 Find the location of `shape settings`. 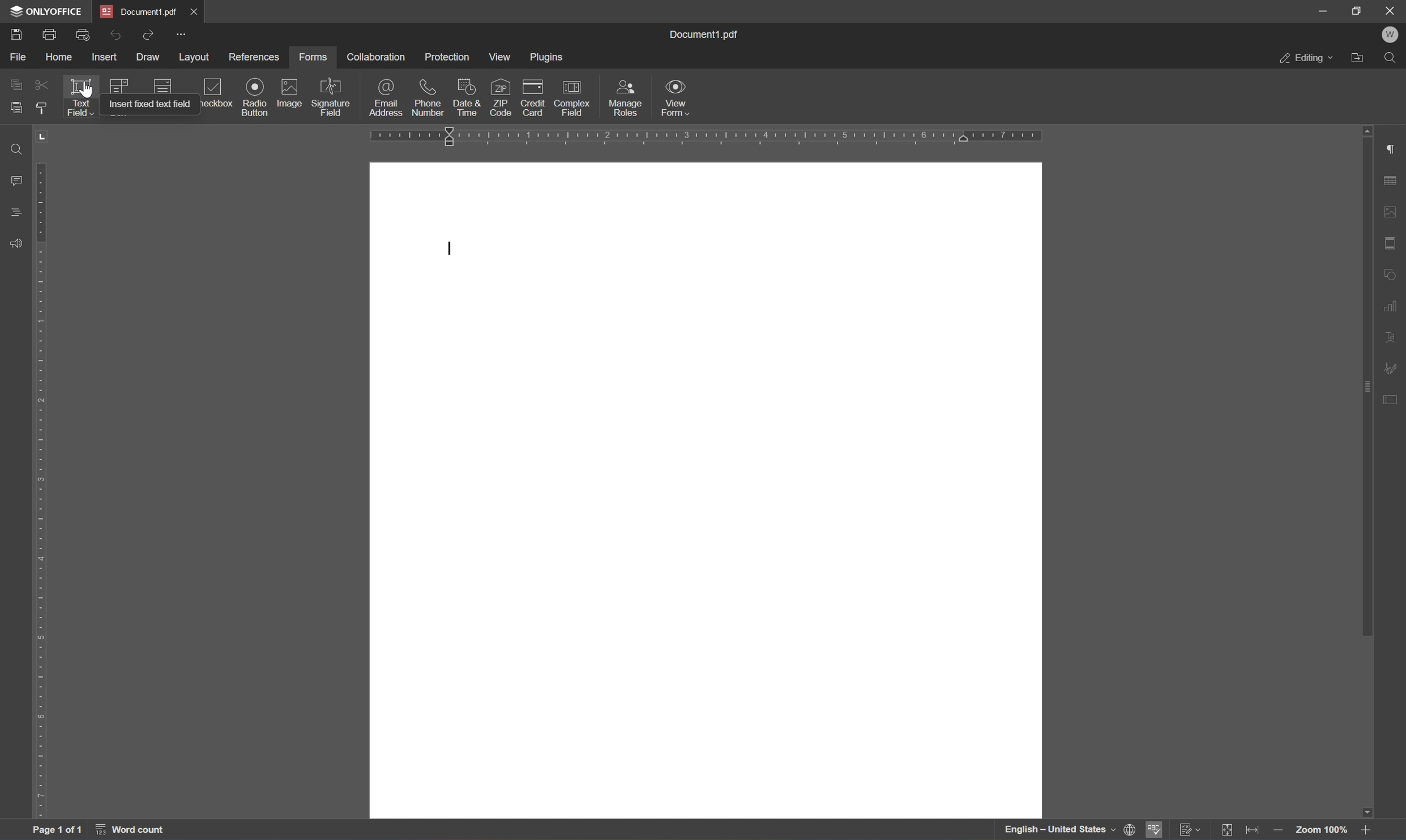

shape settings is located at coordinates (1391, 276).